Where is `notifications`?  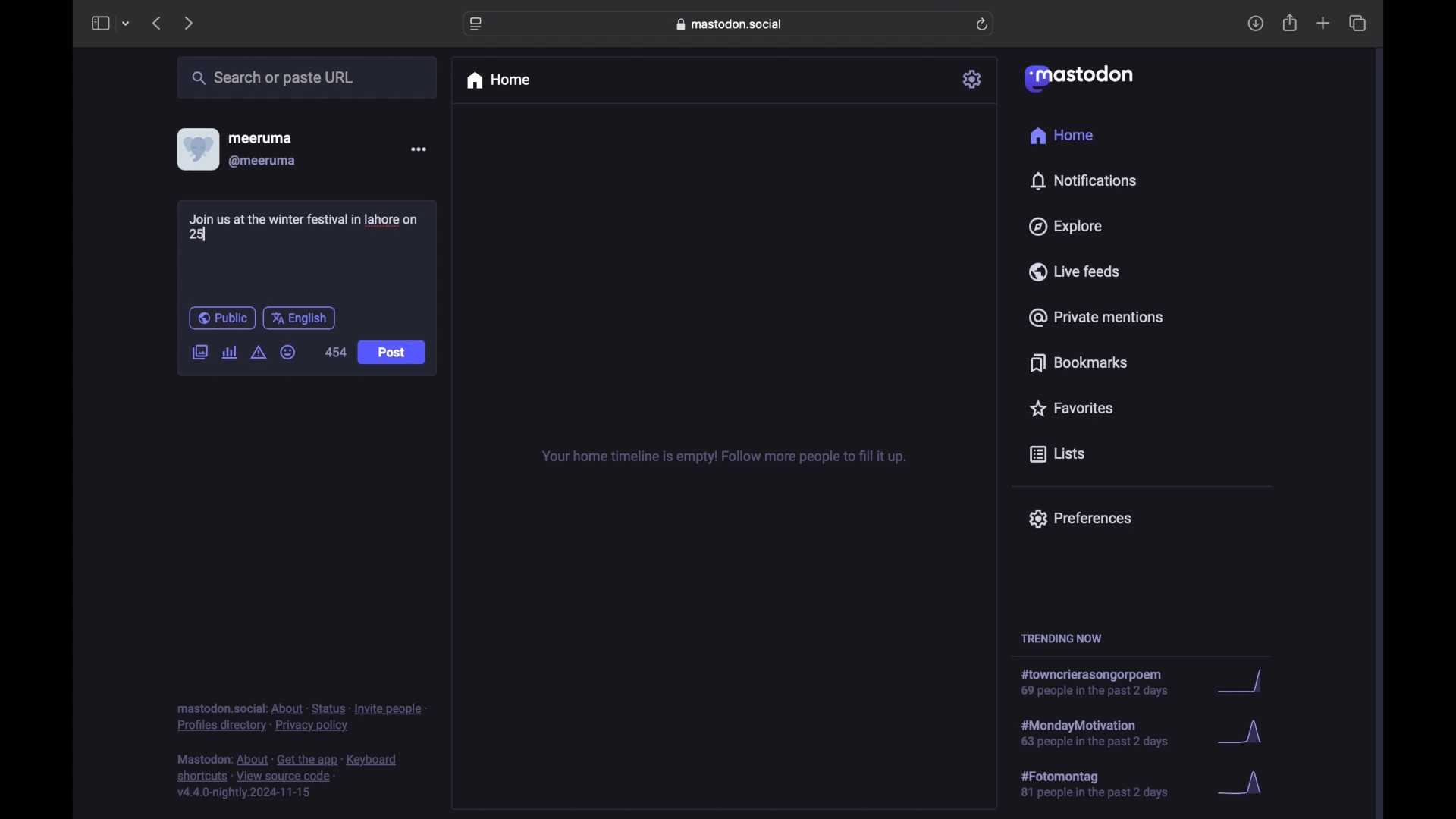 notifications is located at coordinates (1083, 180).